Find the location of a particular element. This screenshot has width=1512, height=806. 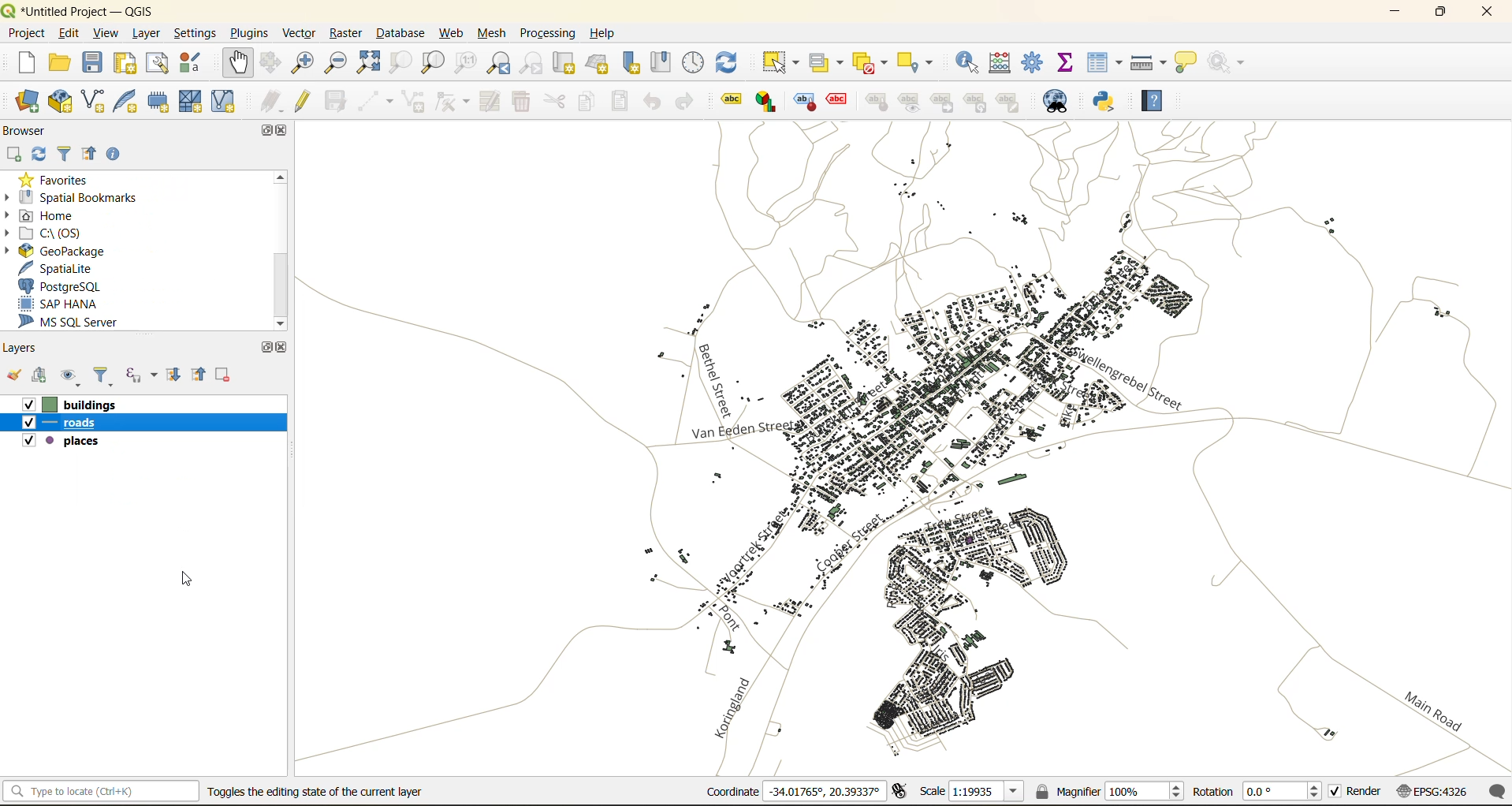

toggle extents is located at coordinates (902, 792).